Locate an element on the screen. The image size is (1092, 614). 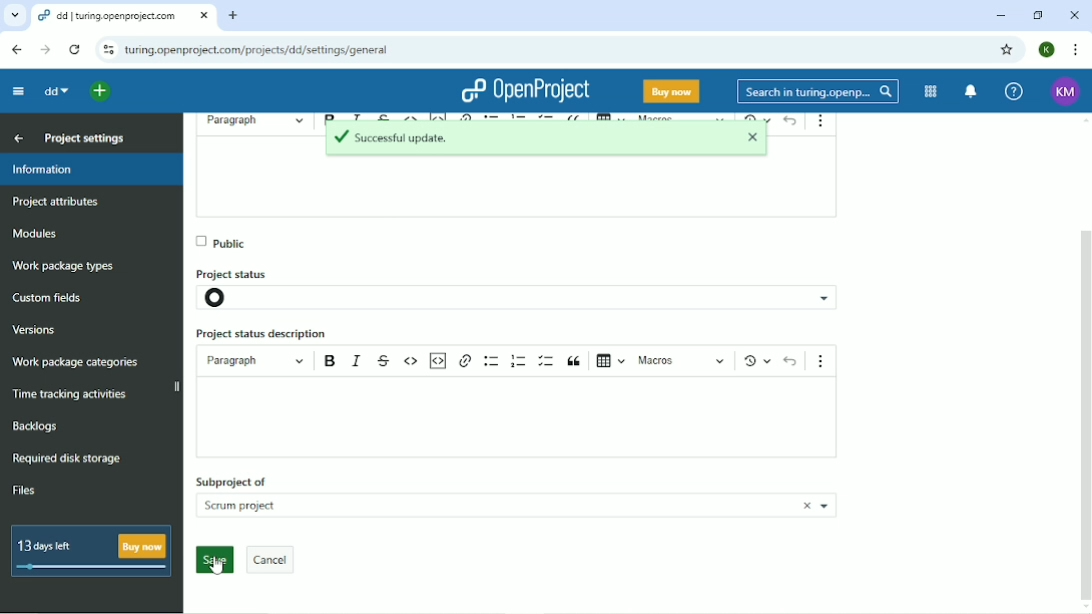
Close is located at coordinates (1075, 15).